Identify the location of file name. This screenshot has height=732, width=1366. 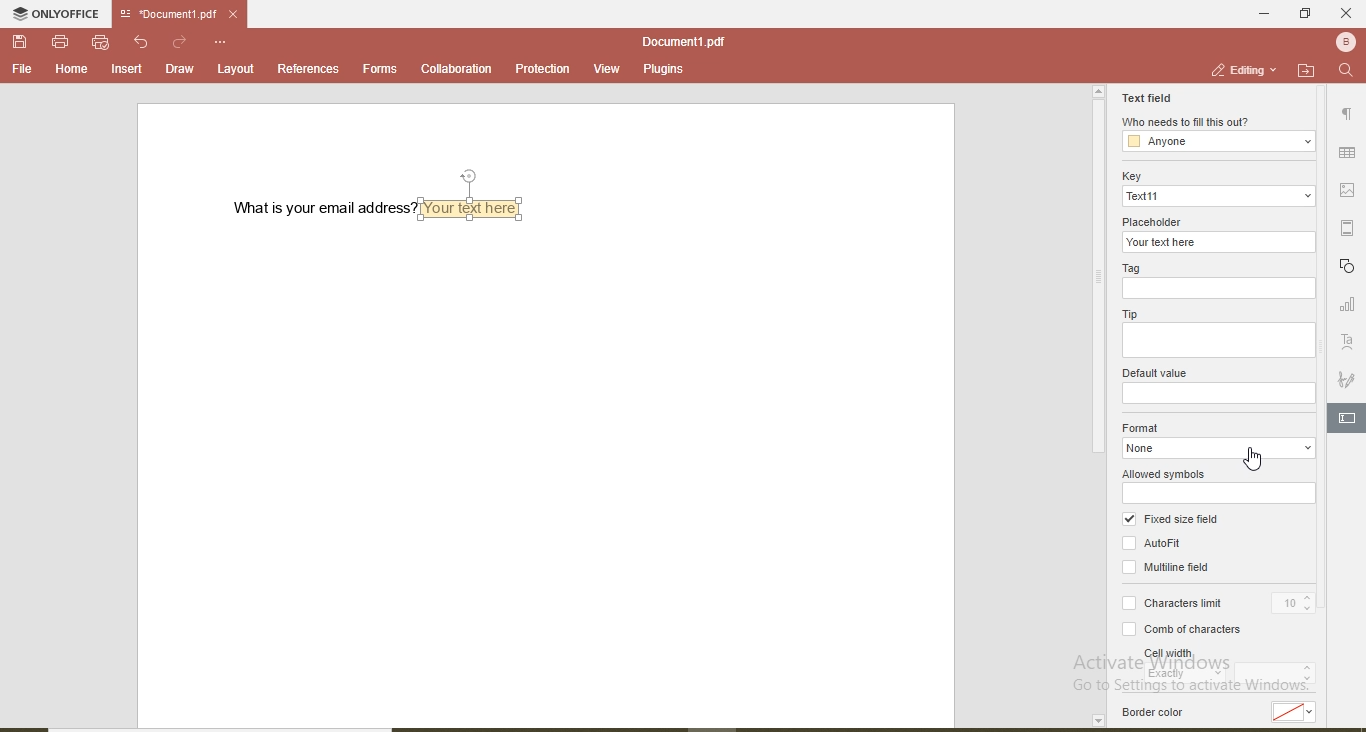
(164, 15).